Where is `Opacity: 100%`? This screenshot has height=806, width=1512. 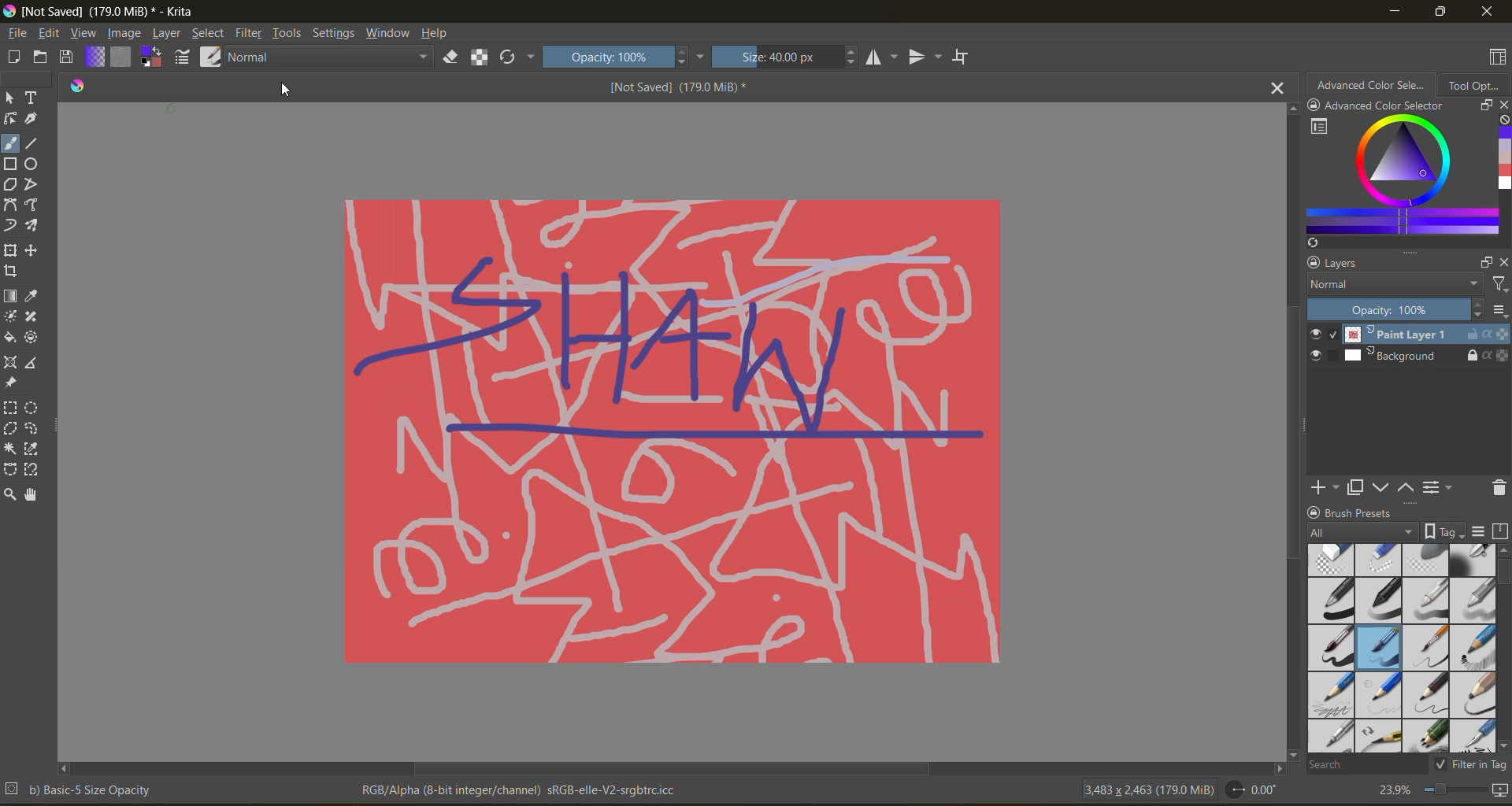 Opacity: 100% is located at coordinates (624, 57).